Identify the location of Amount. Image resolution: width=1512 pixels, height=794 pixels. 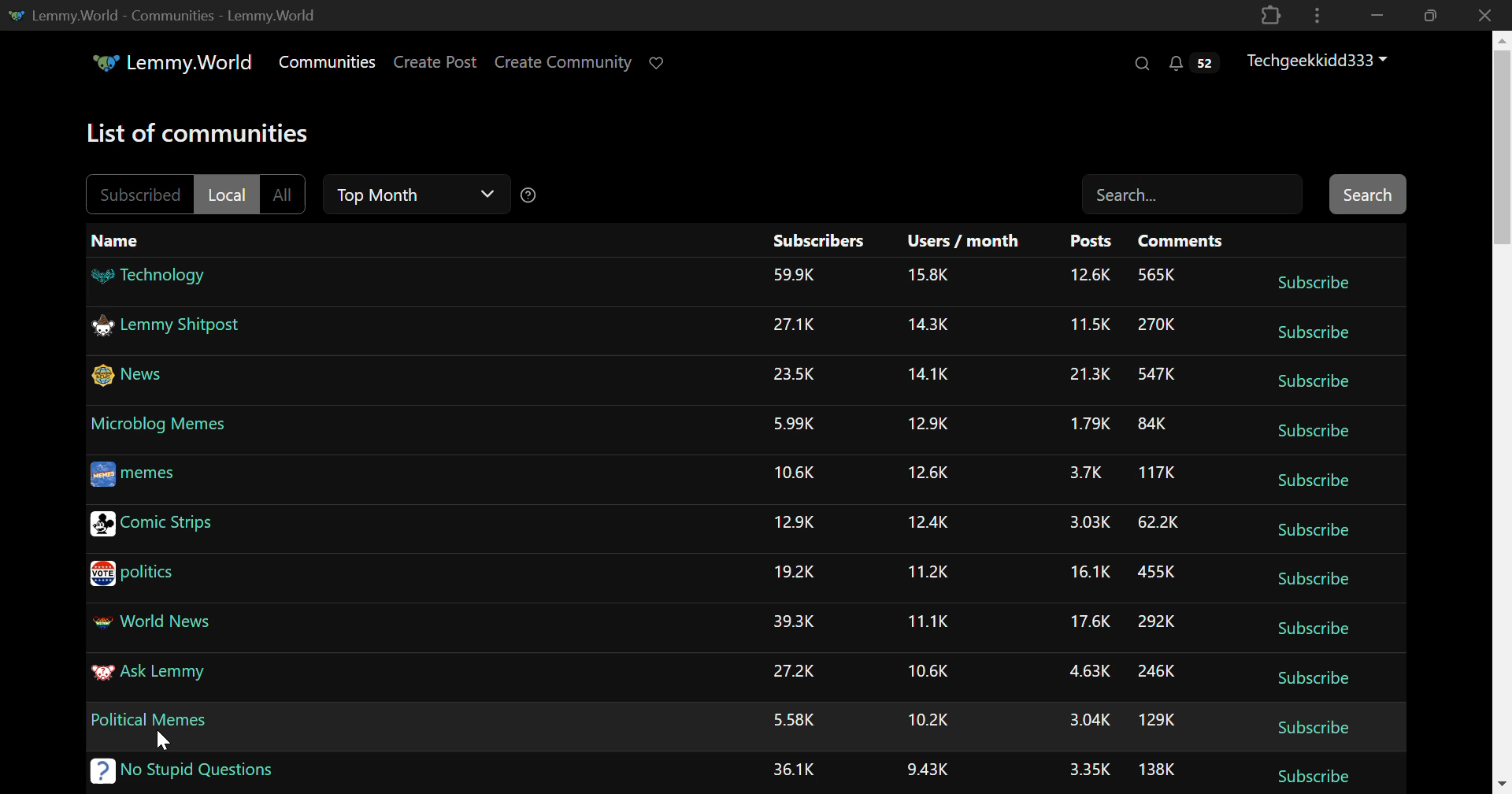
(929, 621).